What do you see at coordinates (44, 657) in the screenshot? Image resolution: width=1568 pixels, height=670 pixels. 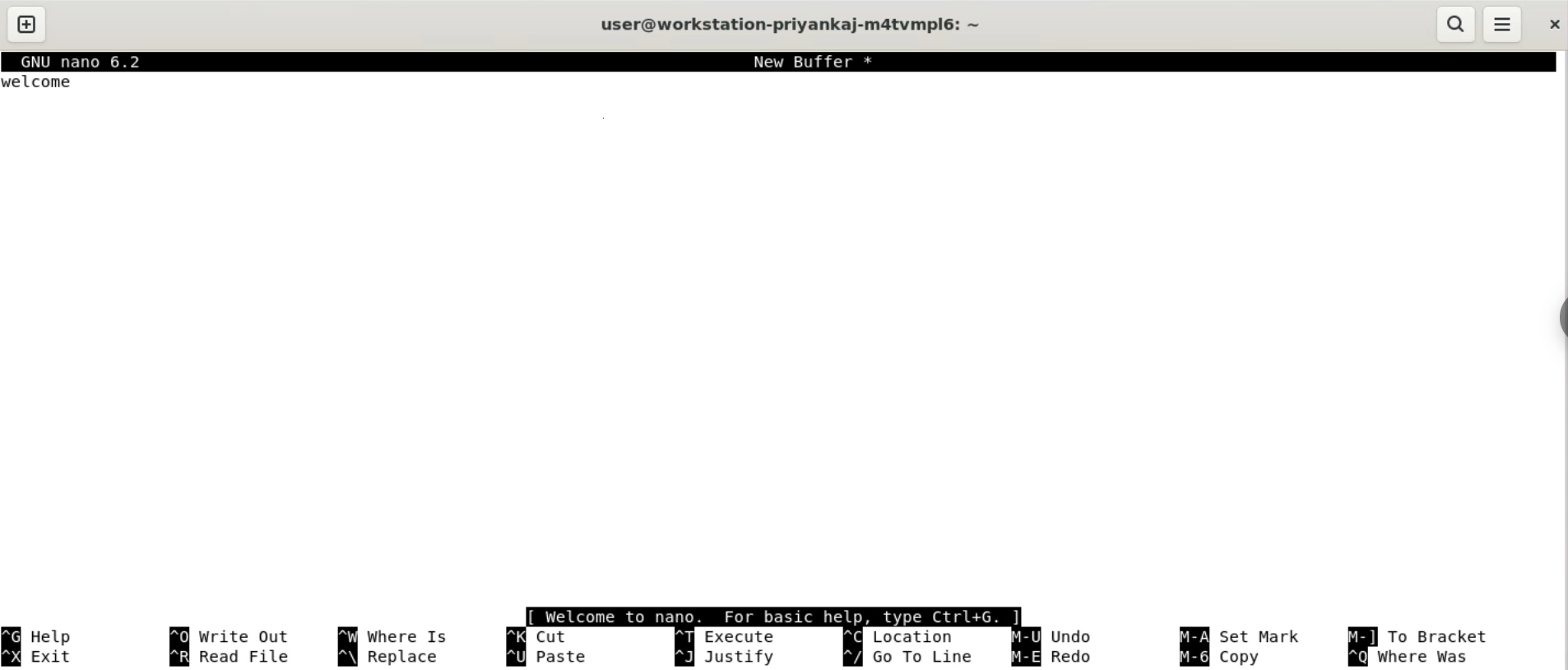 I see `exit` at bounding box center [44, 657].